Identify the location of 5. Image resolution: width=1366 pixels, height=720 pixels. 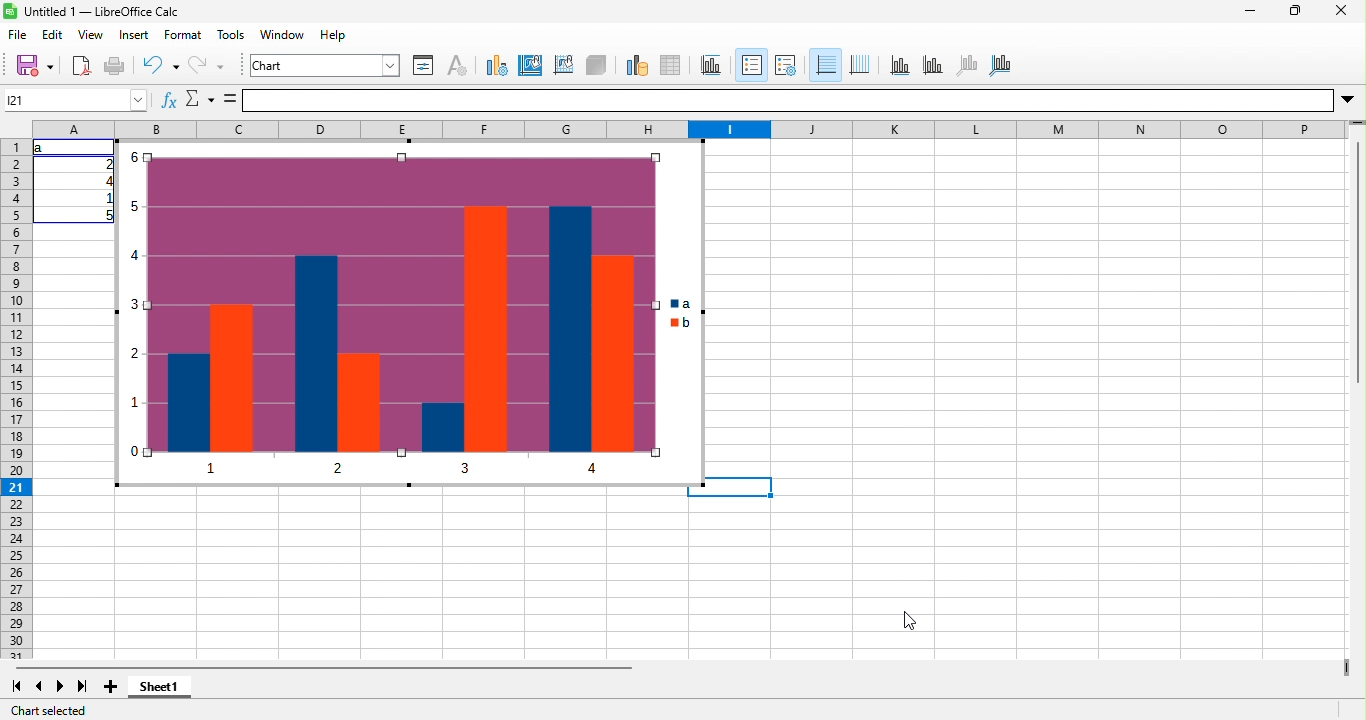
(106, 215).